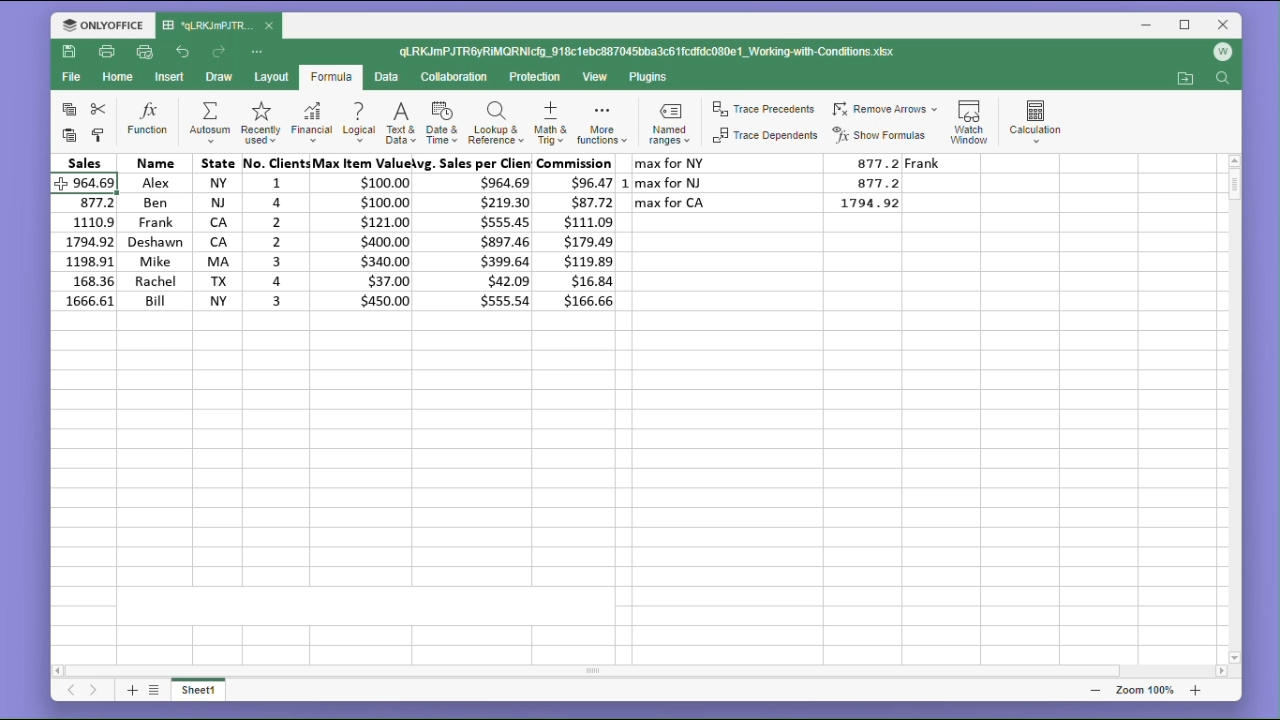 The image size is (1280, 720). What do you see at coordinates (157, 689) in the screenshot?
I see `list of sheets` at bounding box center [157, 689].